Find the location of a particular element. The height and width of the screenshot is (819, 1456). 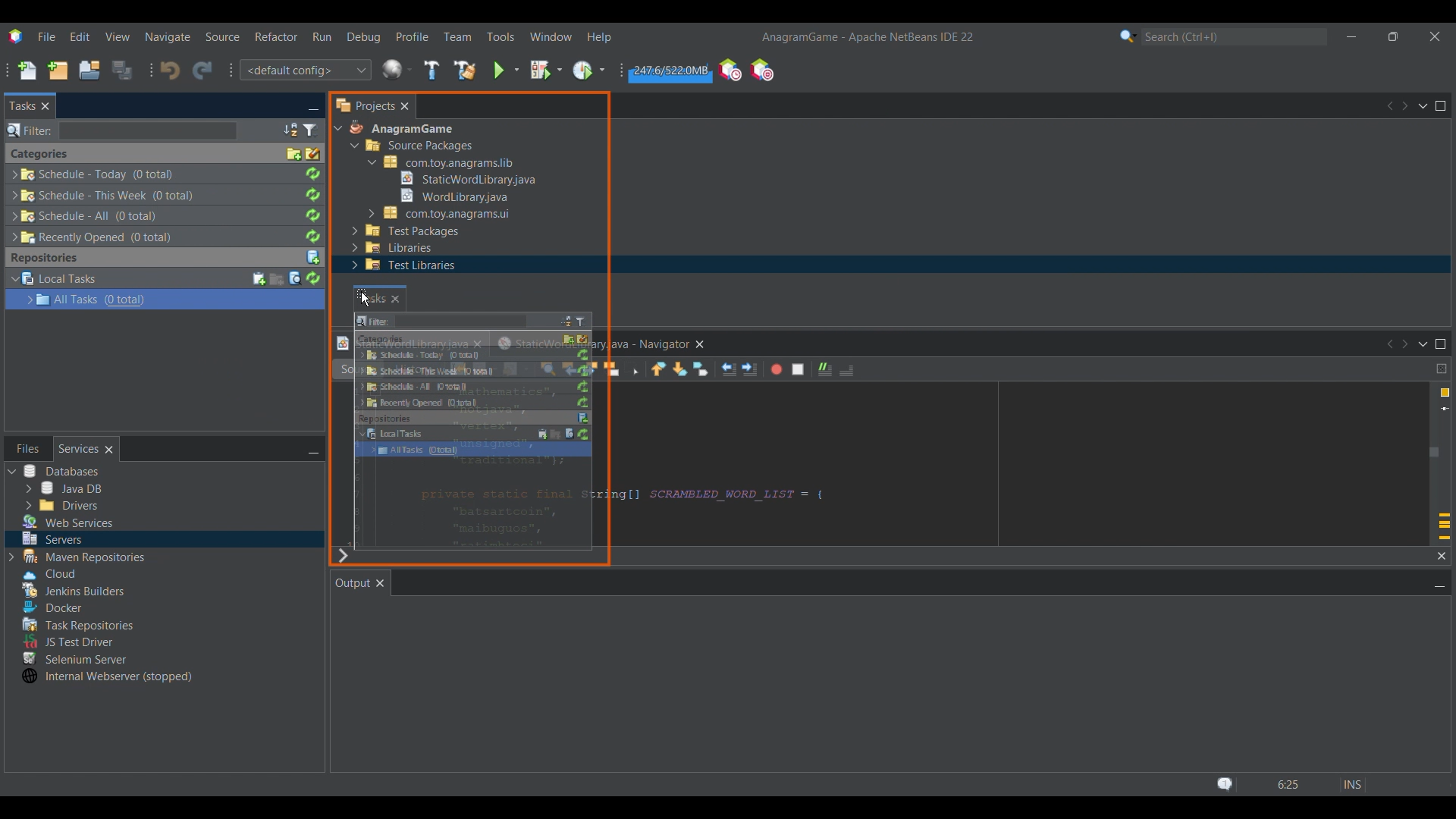

 is located at coordinates (64, 488).